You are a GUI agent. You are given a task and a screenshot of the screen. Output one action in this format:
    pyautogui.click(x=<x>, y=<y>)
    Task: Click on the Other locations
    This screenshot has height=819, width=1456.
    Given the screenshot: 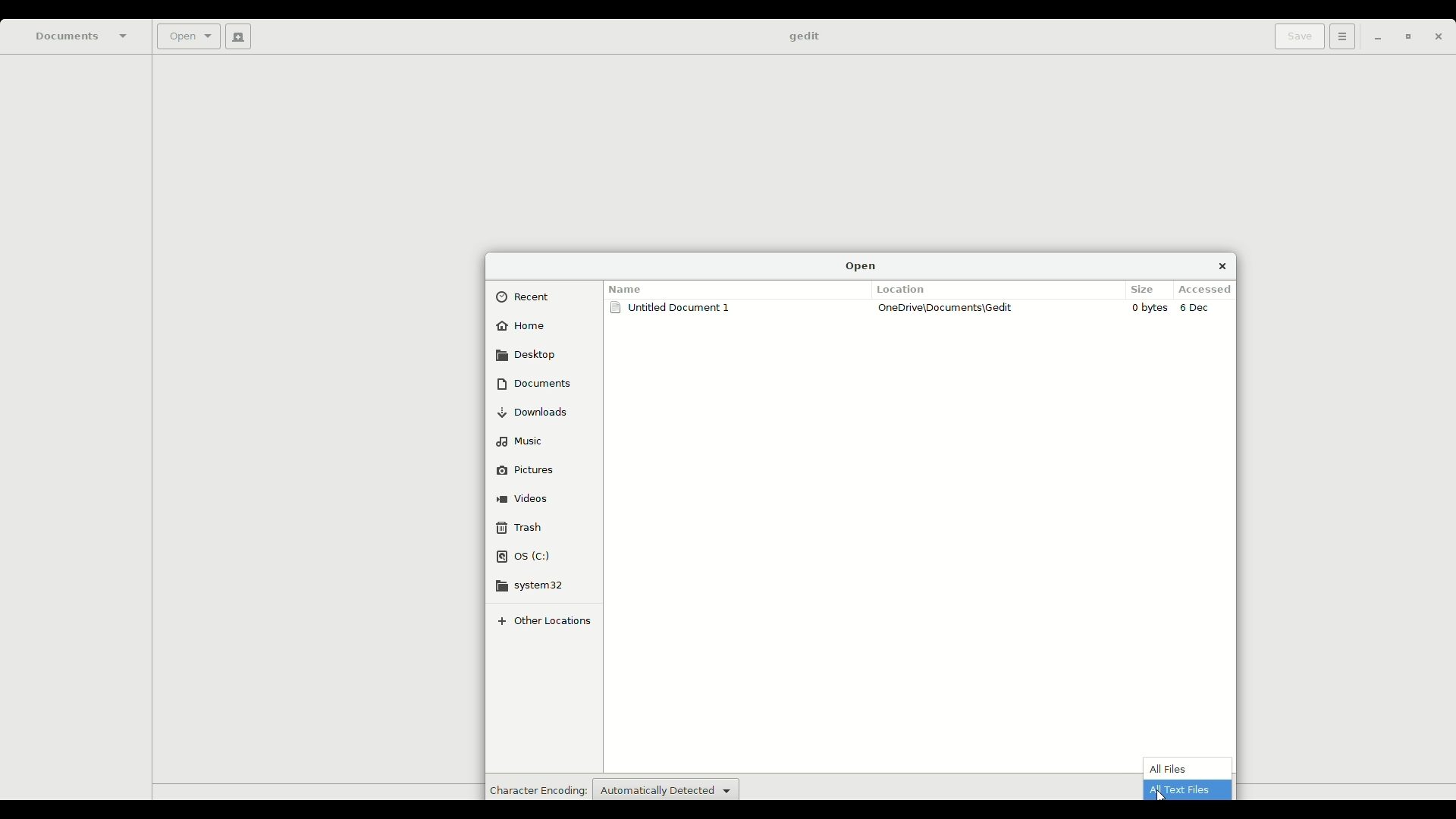 What is the action you would take?
    pyautogui.click(x=549, y=620)
    